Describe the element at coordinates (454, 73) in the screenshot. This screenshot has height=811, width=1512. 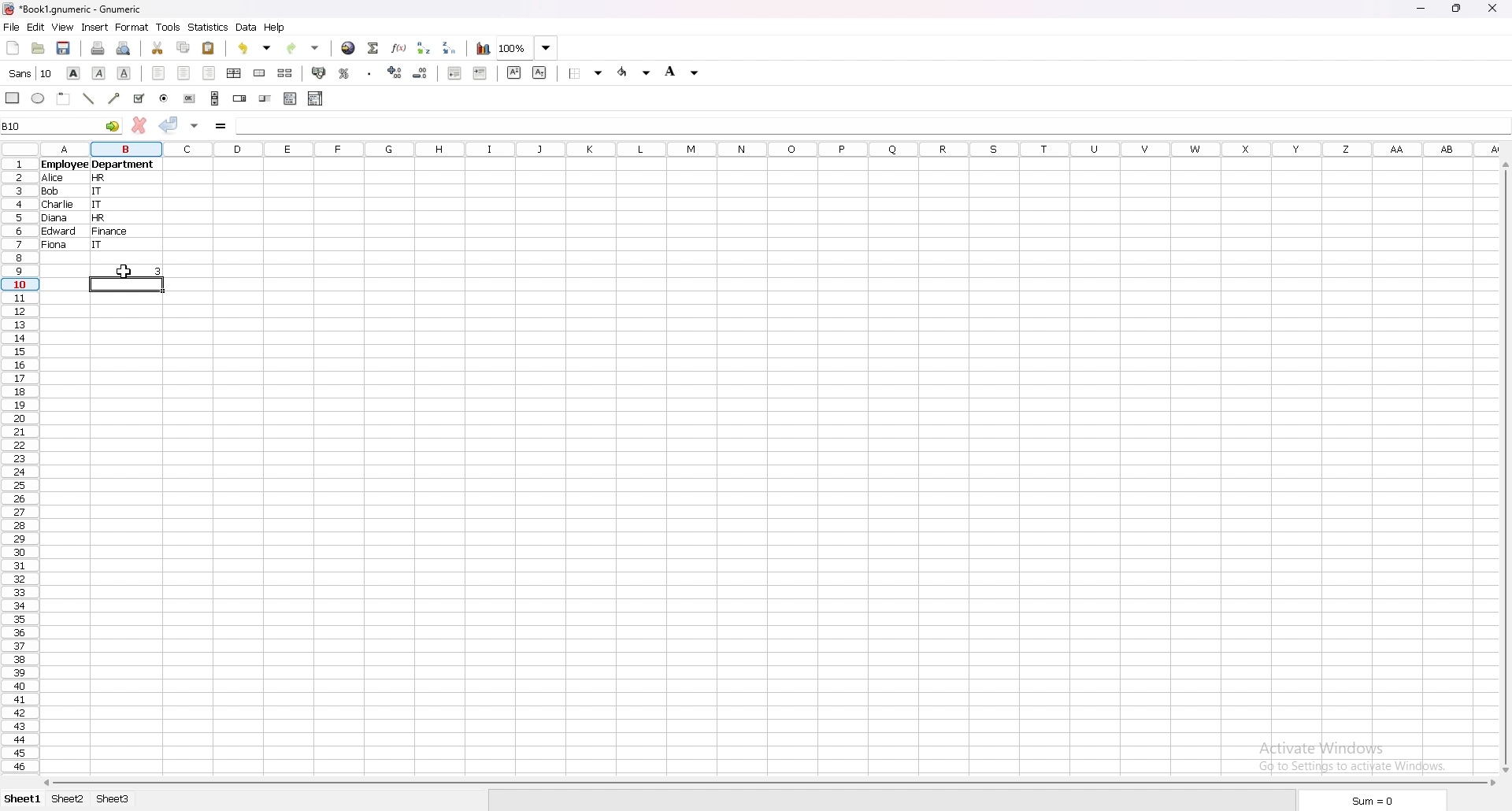
I see `decrease indent` at that location.